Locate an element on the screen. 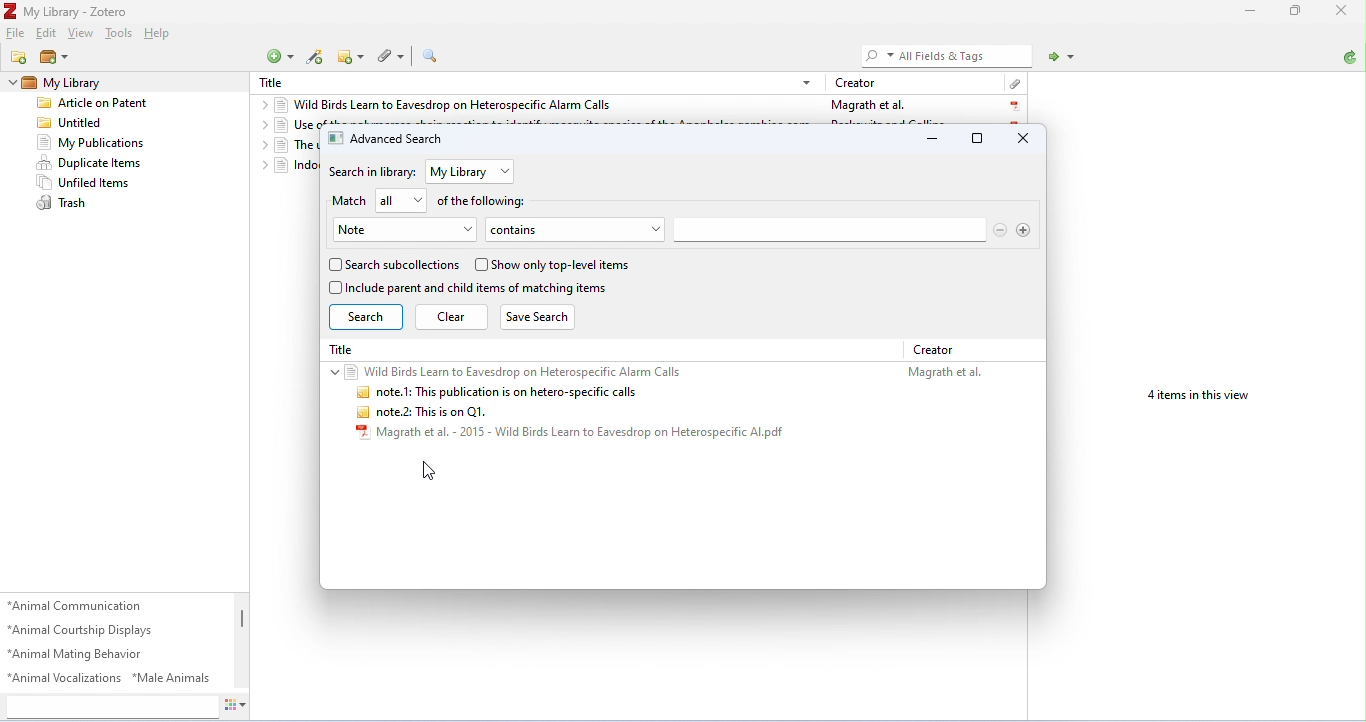 The image size is (1366, 722). Article on patent is located at coordinates (96, 104).